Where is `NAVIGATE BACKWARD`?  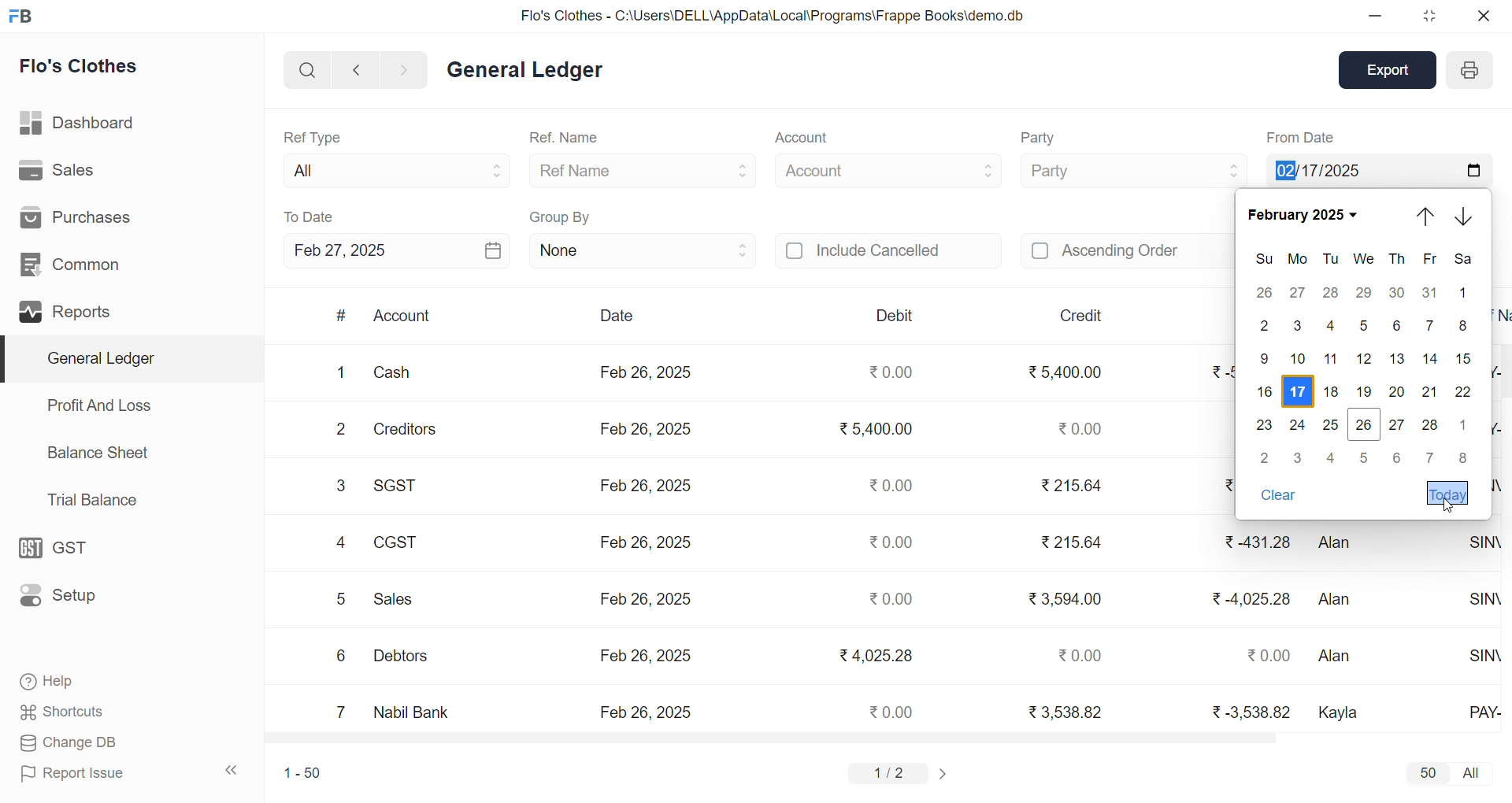 NAVIGATE BACKWARD is located at coordinates (355, 68).